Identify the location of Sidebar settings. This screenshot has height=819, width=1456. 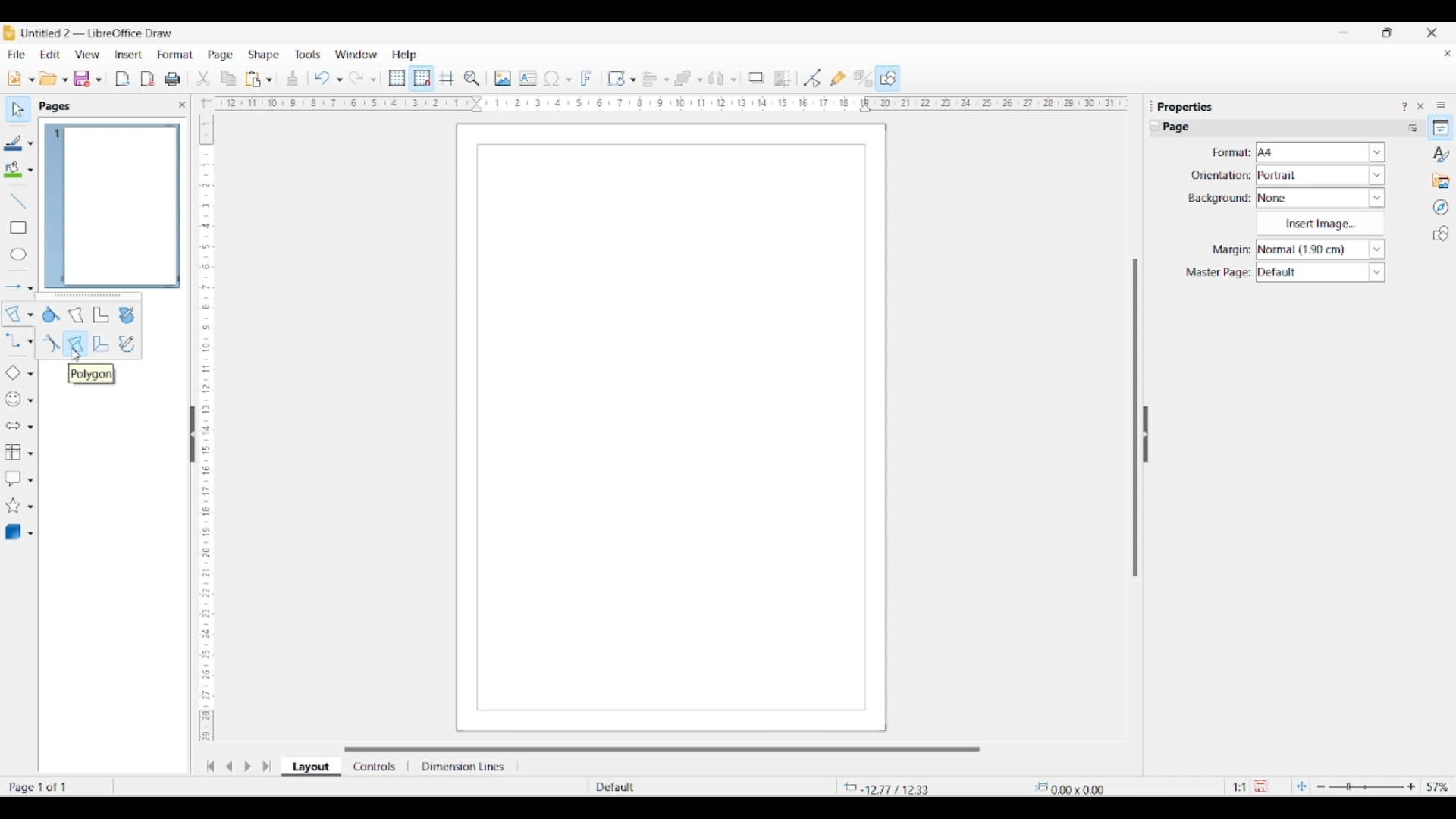
(1441, 104).